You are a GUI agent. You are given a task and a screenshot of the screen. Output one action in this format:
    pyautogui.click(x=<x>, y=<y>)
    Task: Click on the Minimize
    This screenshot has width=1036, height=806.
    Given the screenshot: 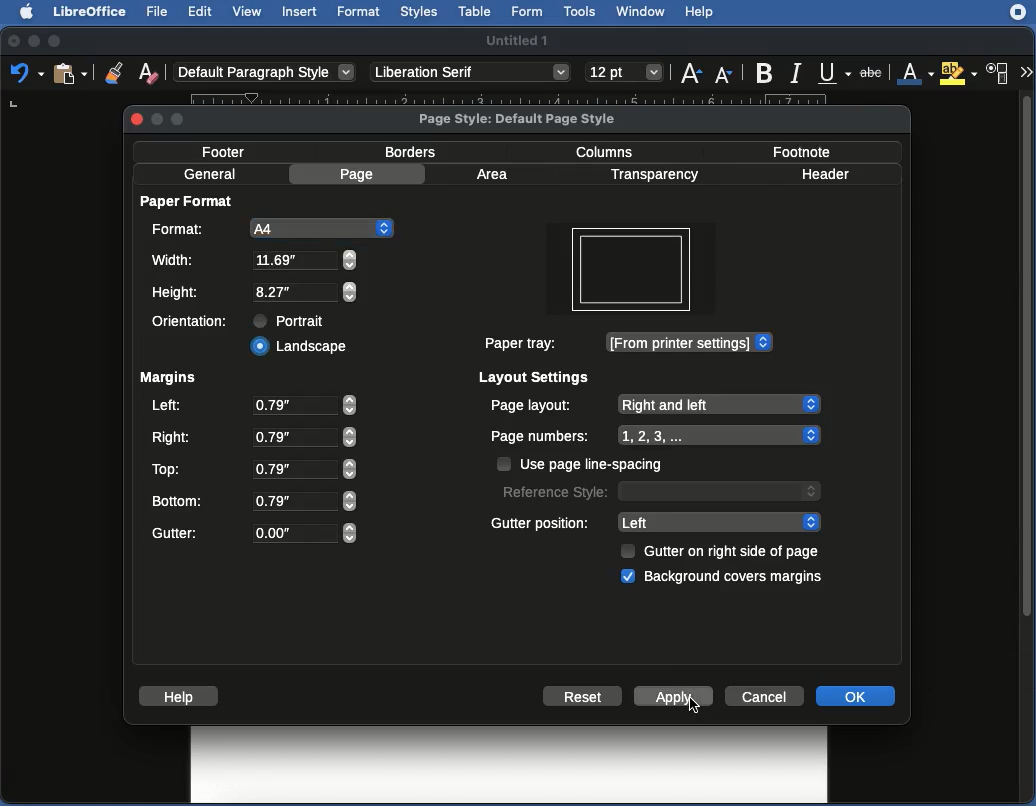 What is the action you would take?
    pyautogui.click(x=34, y=40)
    